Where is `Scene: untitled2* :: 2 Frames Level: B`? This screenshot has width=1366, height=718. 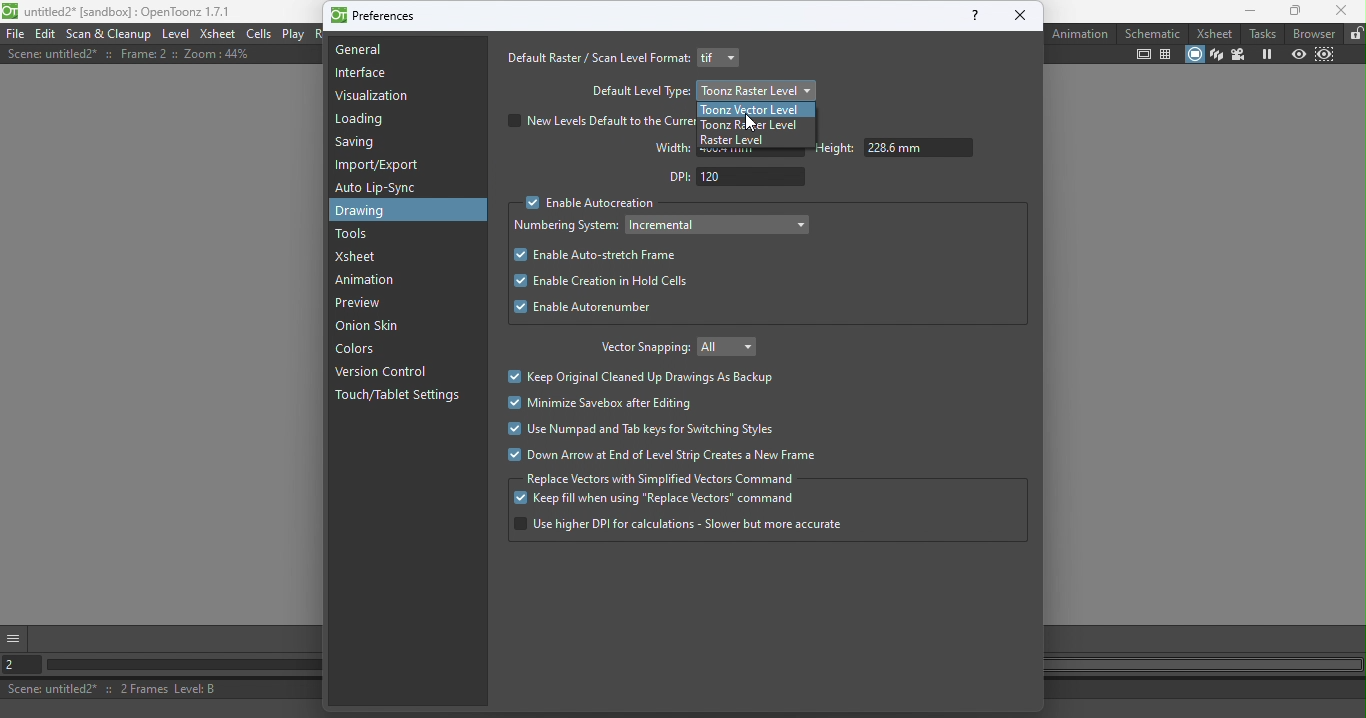
Scene: untitled2* :: 2 Frames Level: B is located at coordinates (157, 689).